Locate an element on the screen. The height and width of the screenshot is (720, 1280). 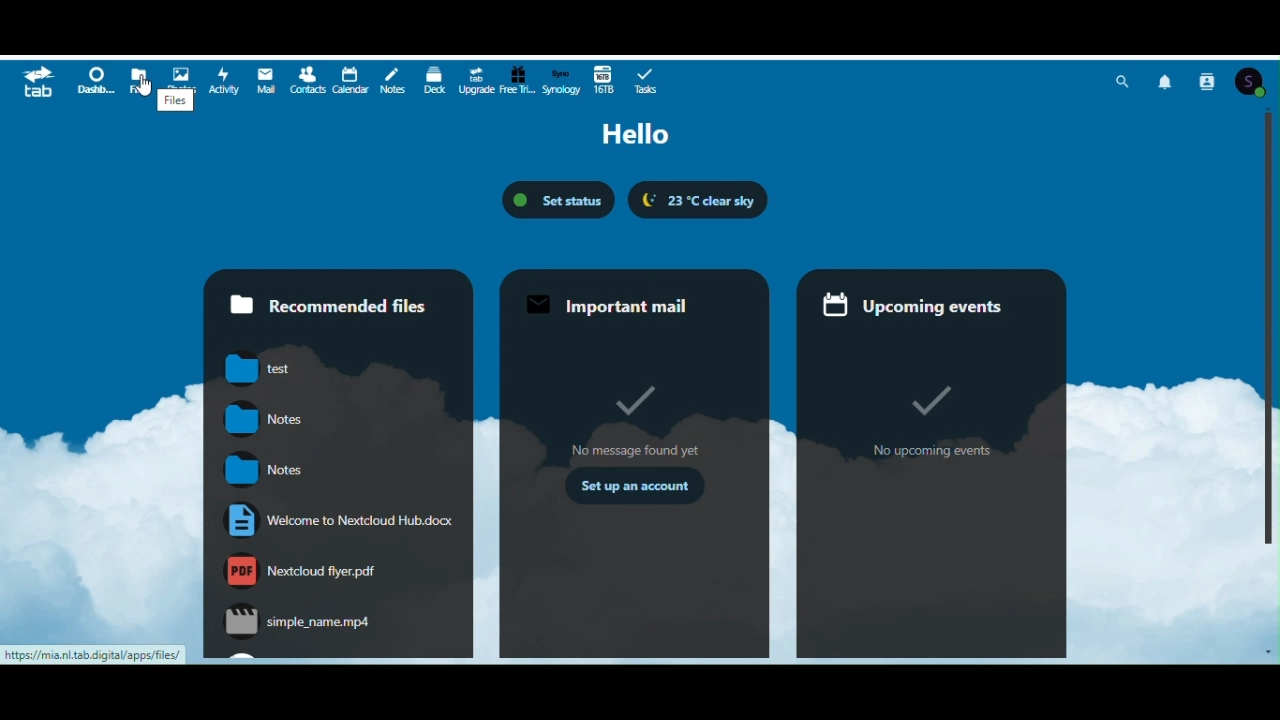
nextcloudflyer.pdf is located at coordinates (301, 568).